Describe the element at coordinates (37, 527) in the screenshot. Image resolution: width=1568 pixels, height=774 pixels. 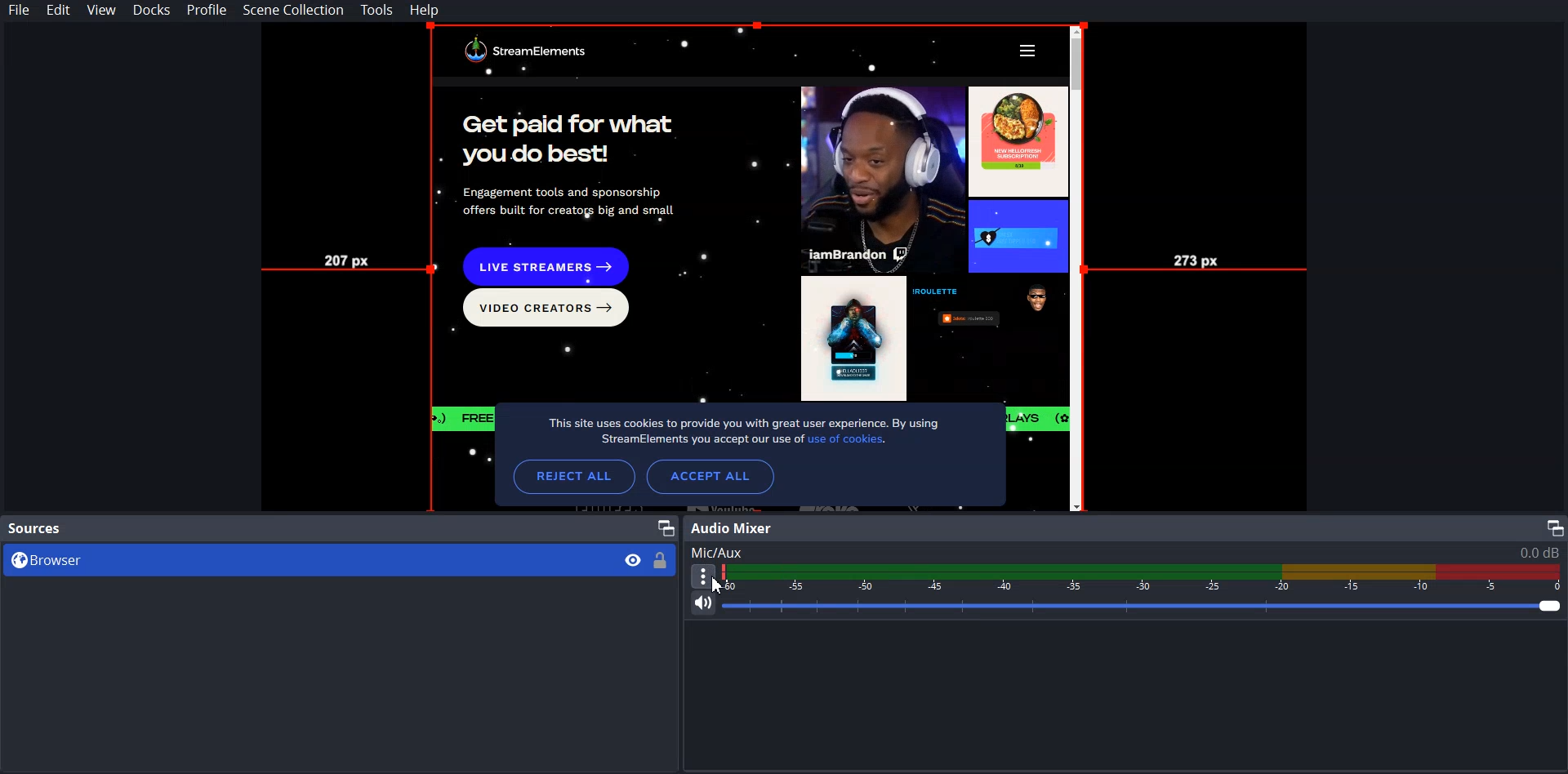
I see `Source ` at that location.